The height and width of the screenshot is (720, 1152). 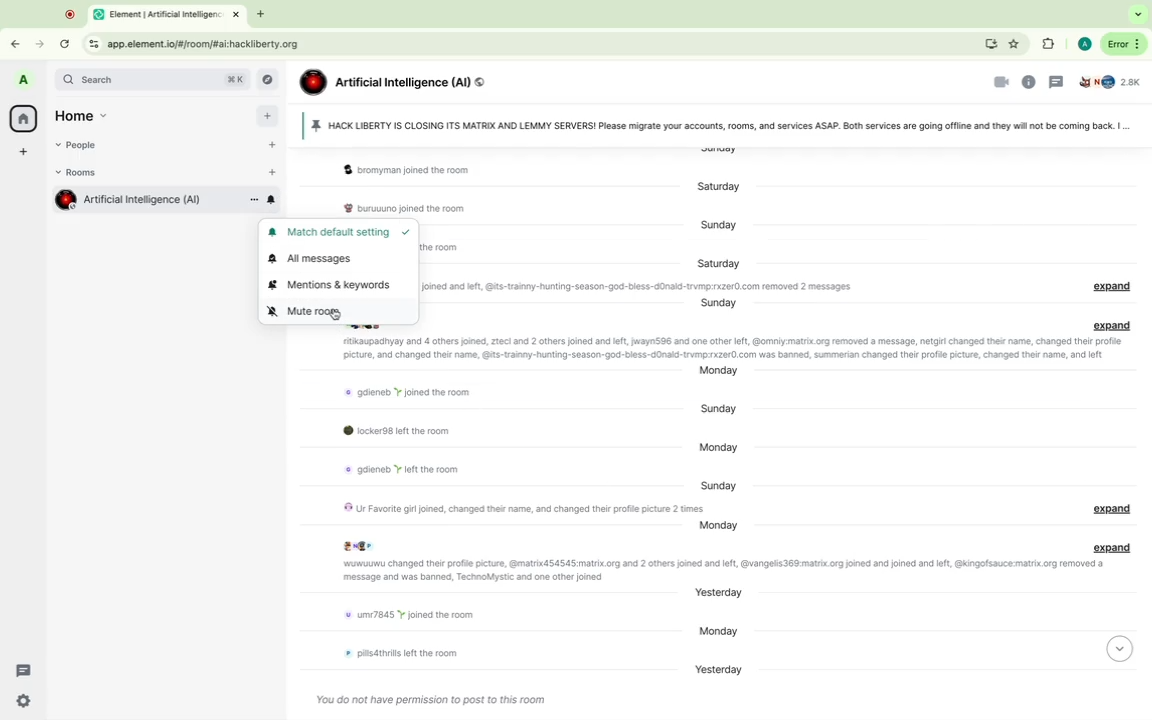 What do you see at coordinates (83, 146) in the screenshot?
I see `People` at bounding box center [83, 146].